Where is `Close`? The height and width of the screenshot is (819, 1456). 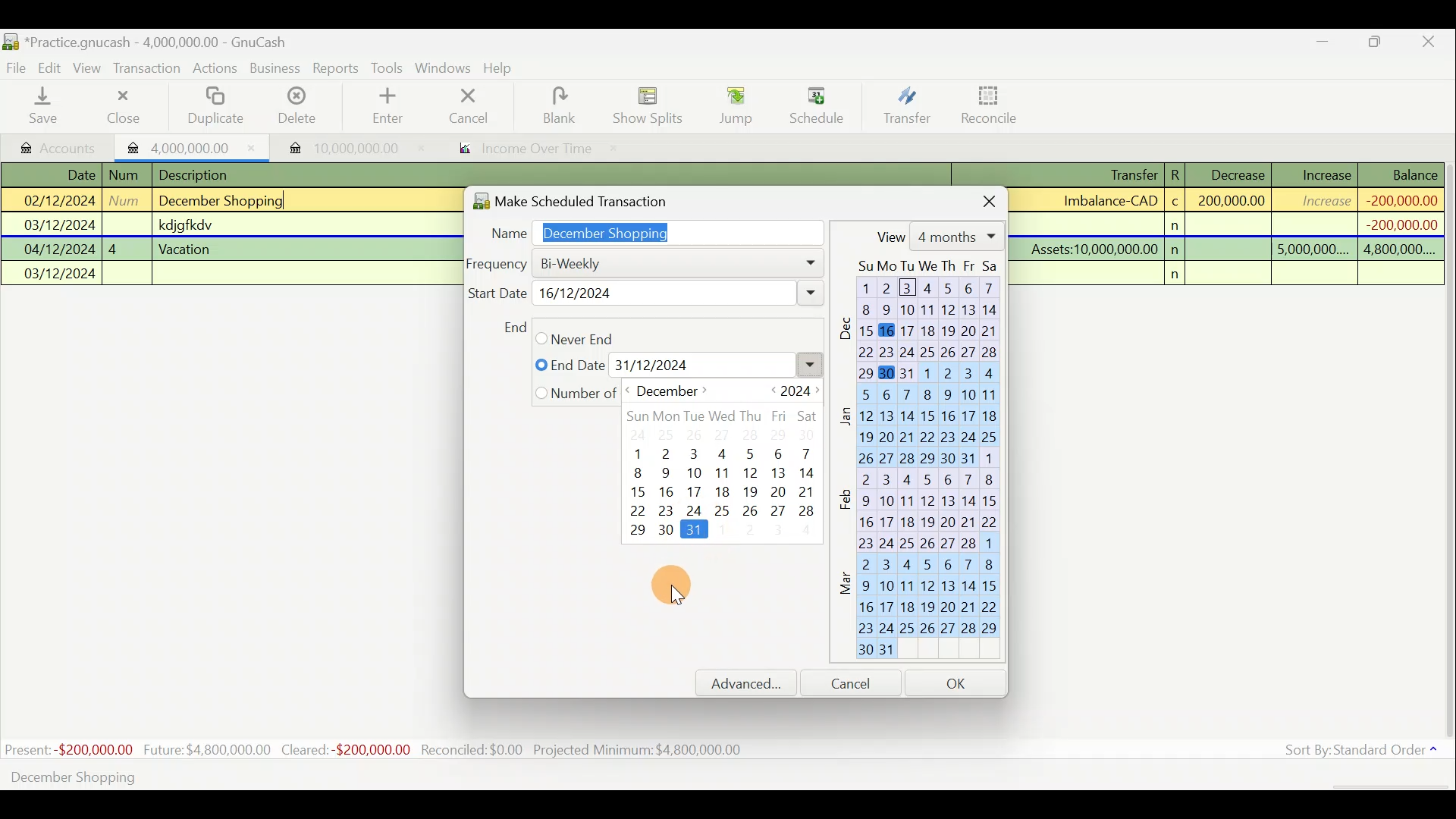 Close is located at coordinates (977, 199).